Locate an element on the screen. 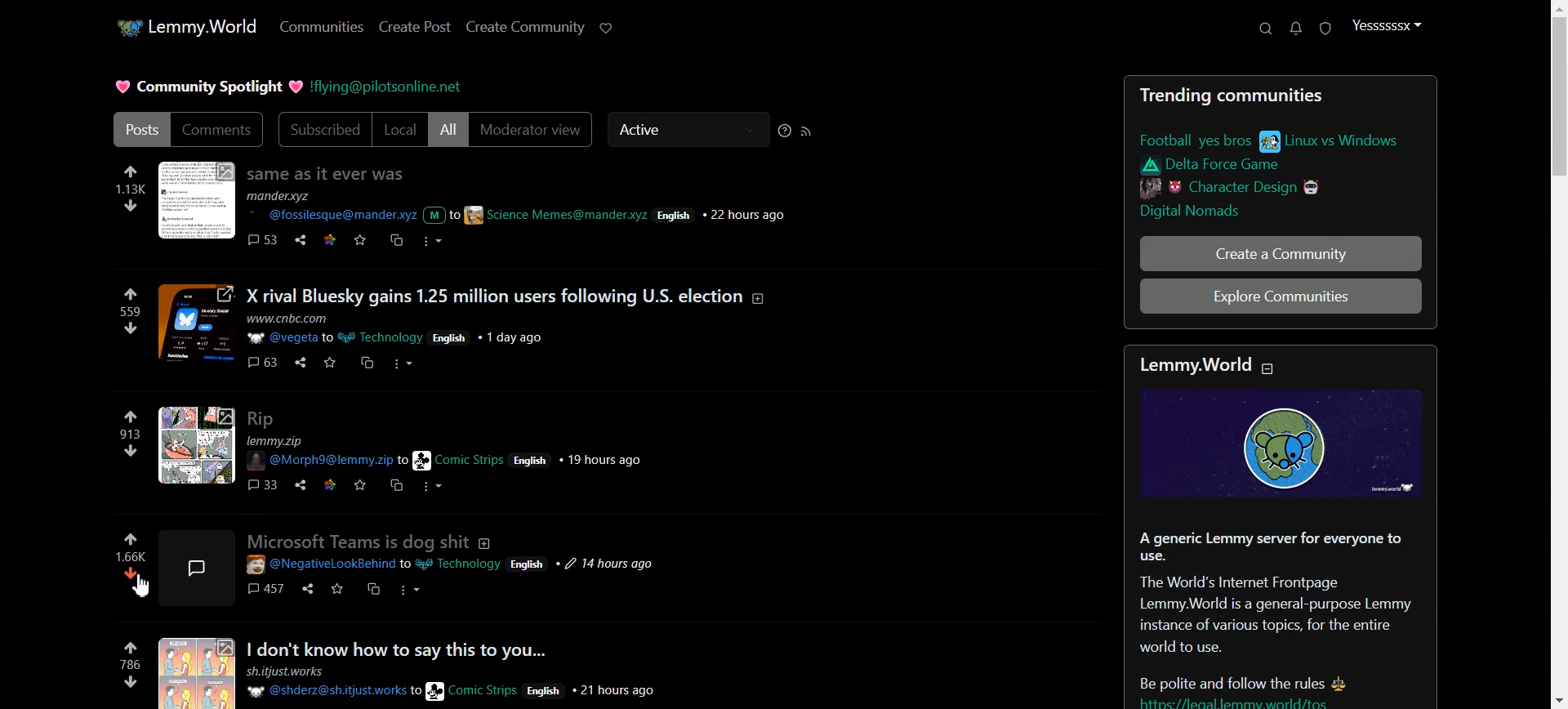  Text is located at coordinates (1273, 620).